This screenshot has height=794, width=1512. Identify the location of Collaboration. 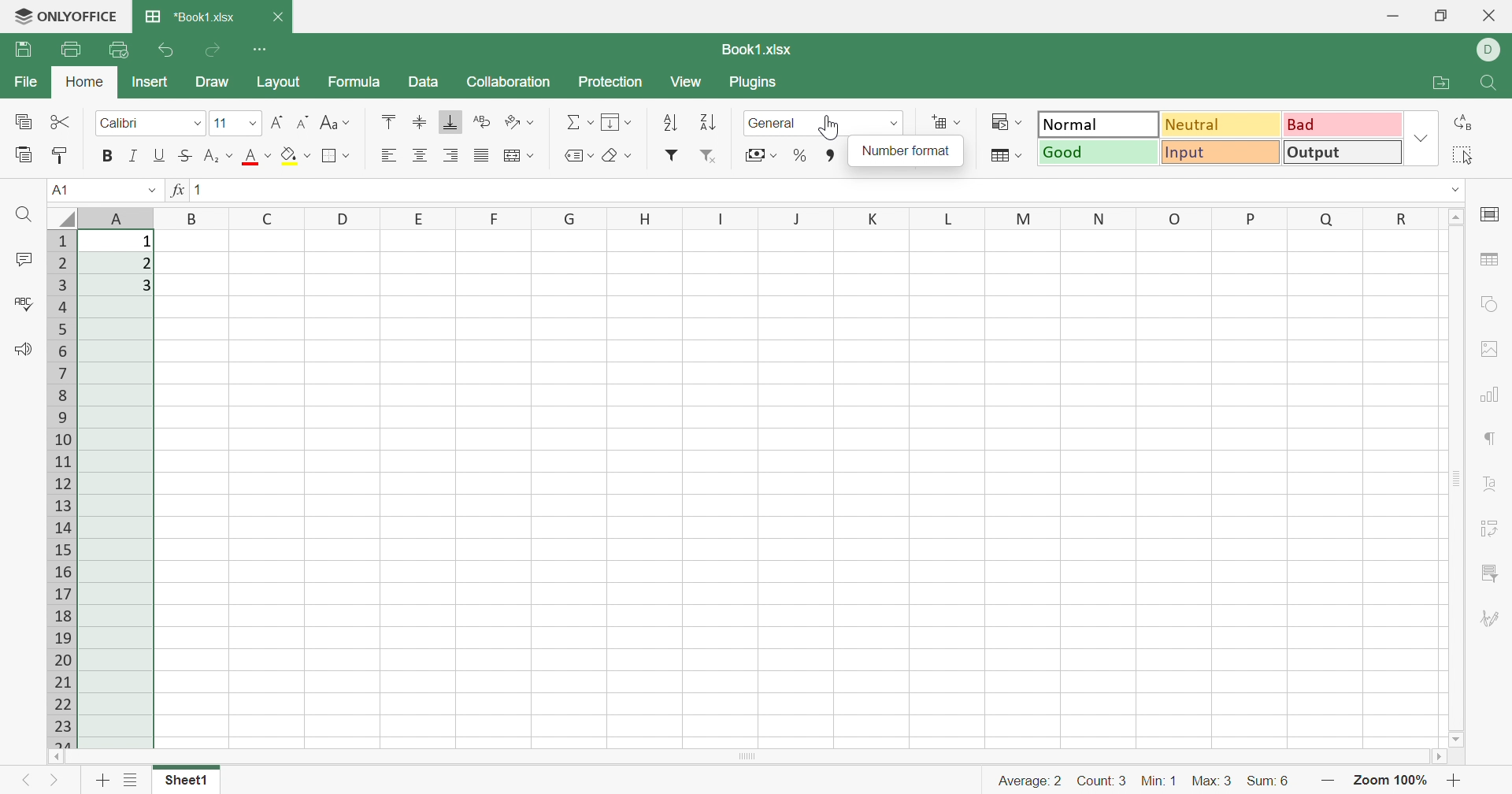
(510, 82).